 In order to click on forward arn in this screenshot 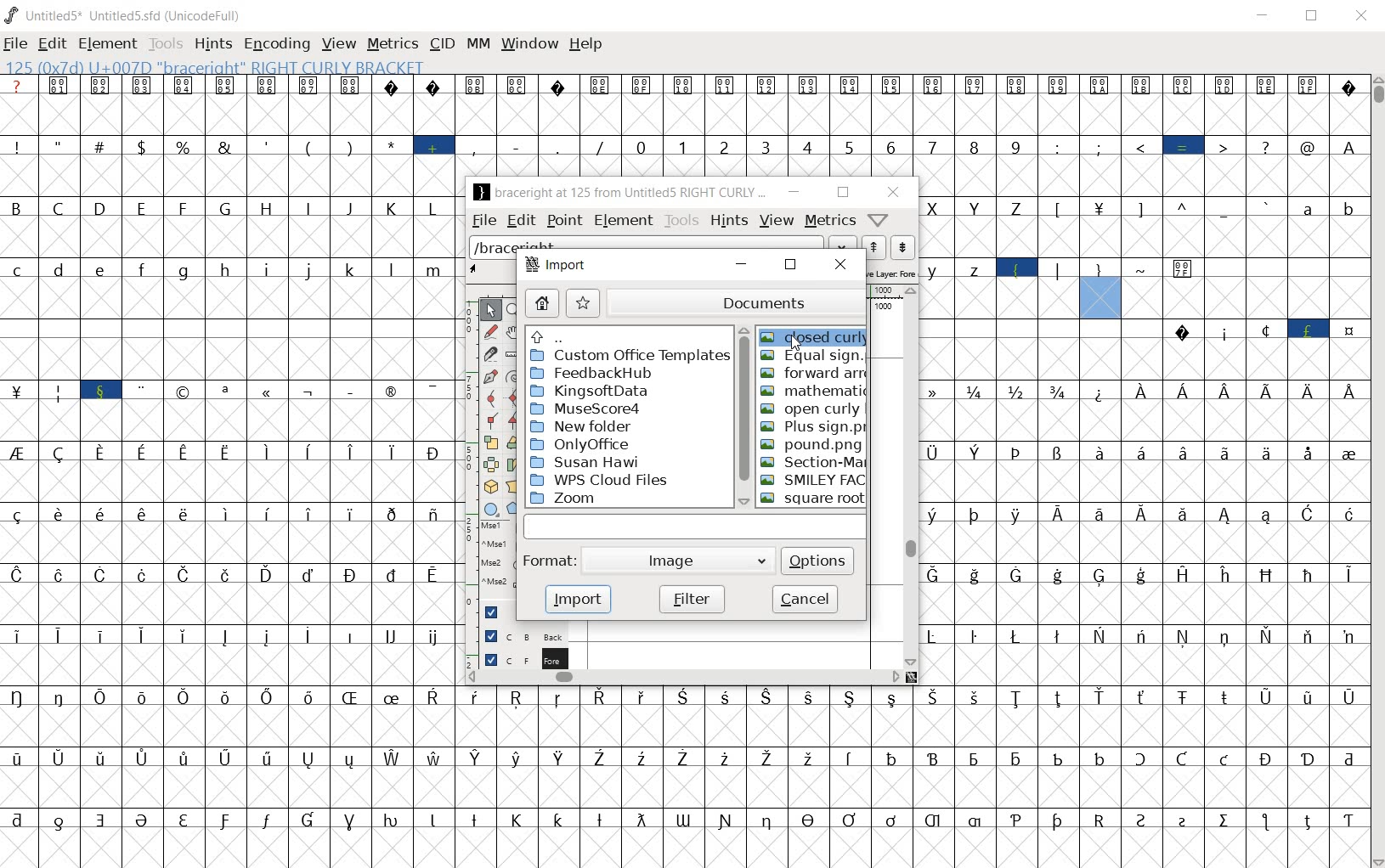, I will do `click(814, 374)`.